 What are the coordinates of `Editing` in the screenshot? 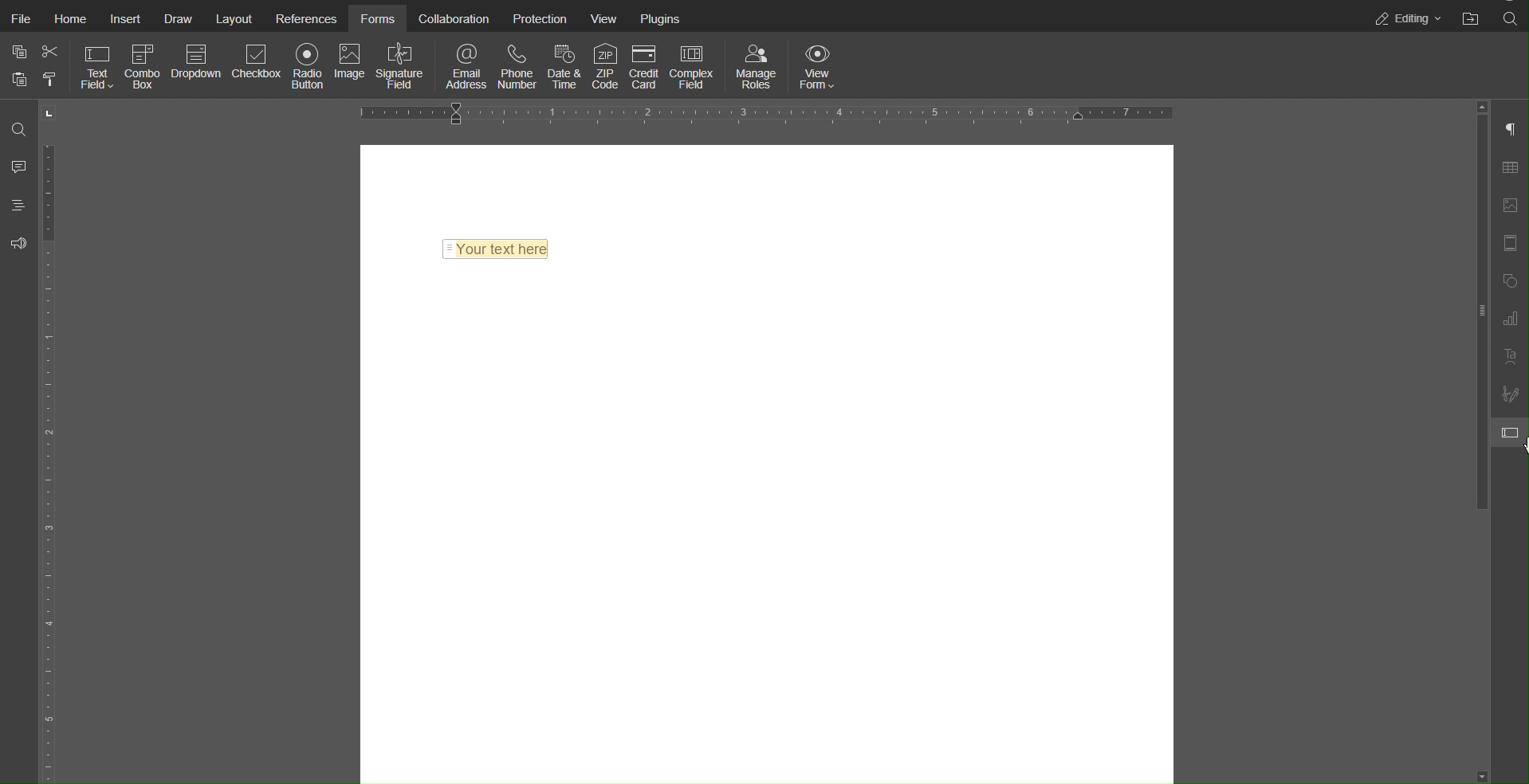 It's located at (1408, 17).